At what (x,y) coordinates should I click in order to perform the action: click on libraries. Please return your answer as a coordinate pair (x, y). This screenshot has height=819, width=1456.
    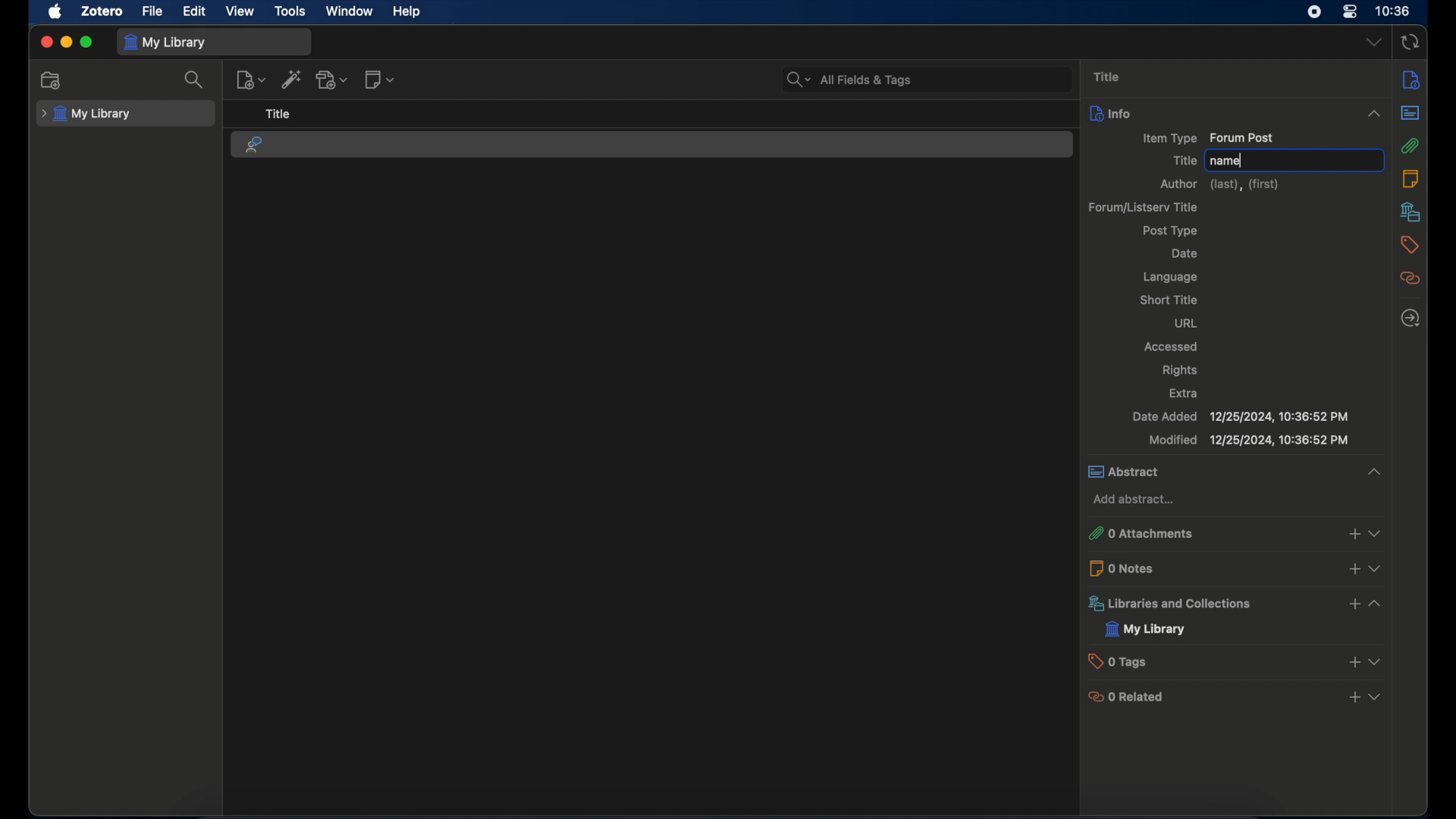
    Looking at the image, I should click on (1410, 212).